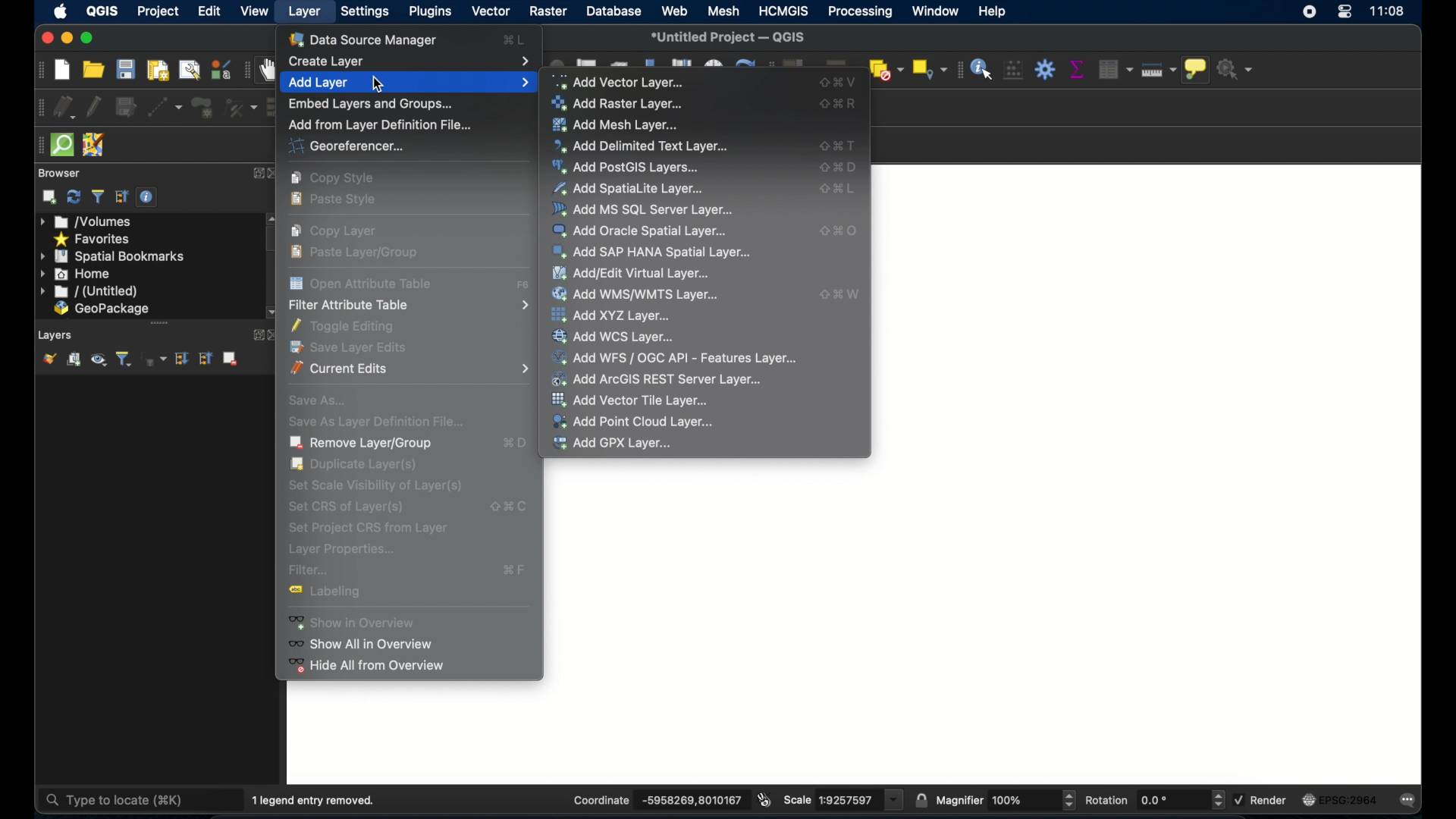 This screenshot has height=819, width=1456. What do you see at coordinates (921, 799) in the screenshot?
I see `lock scale` at bounding box center [921, 799].